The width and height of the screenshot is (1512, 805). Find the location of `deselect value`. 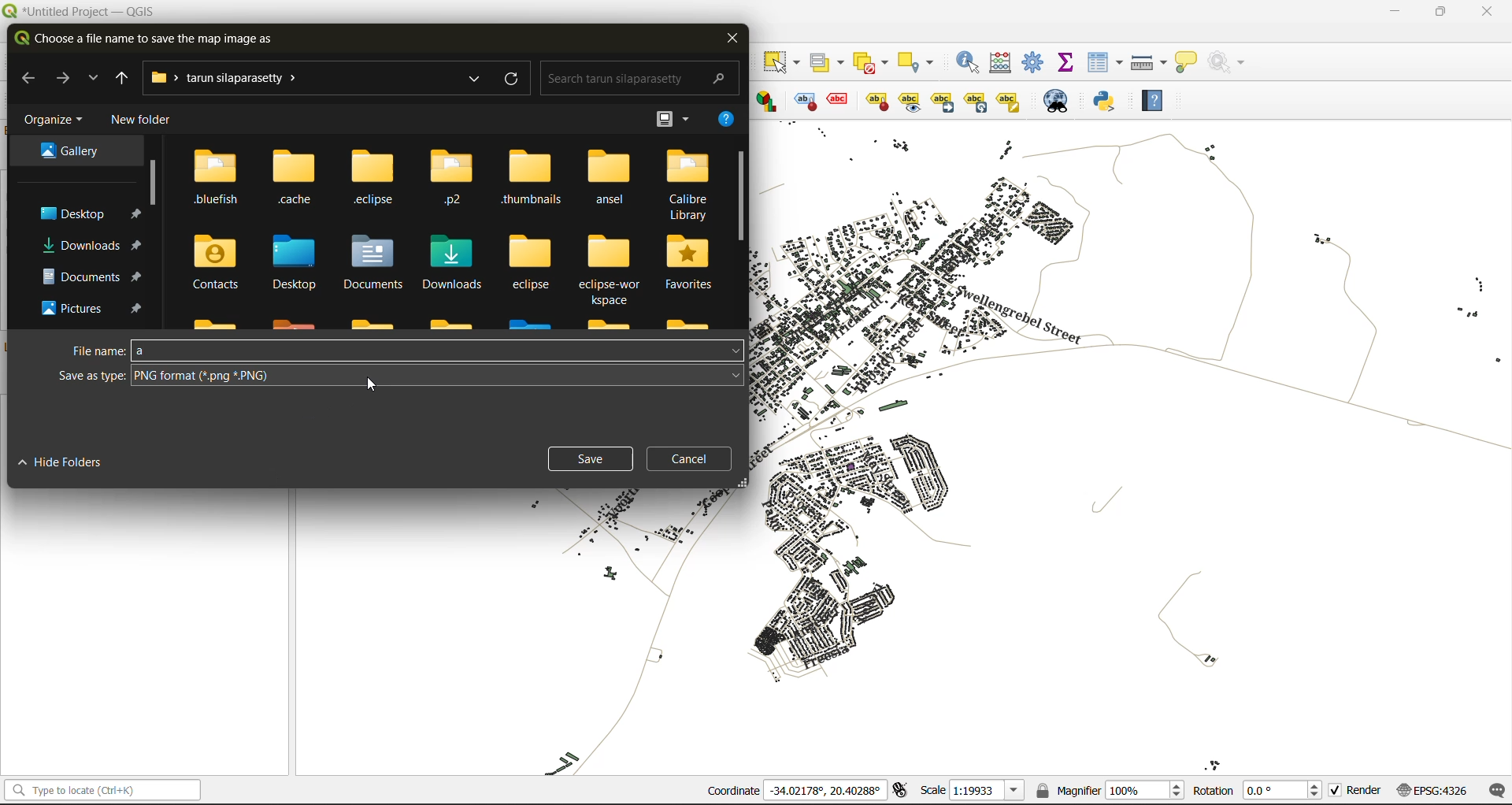

deselect value is located at coordinates (877, 61).